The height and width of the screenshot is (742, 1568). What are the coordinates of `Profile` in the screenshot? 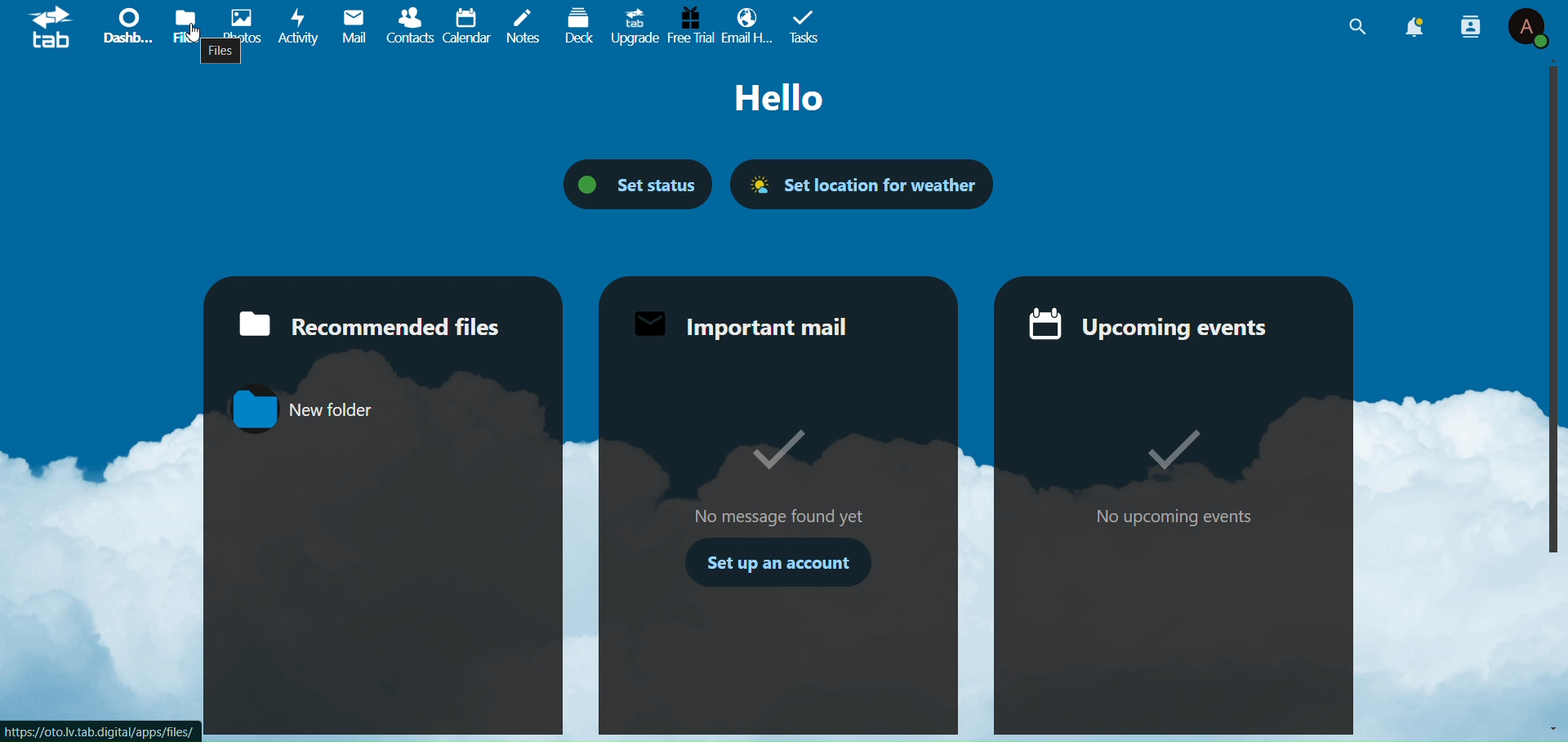 It's located at (1528, 29).